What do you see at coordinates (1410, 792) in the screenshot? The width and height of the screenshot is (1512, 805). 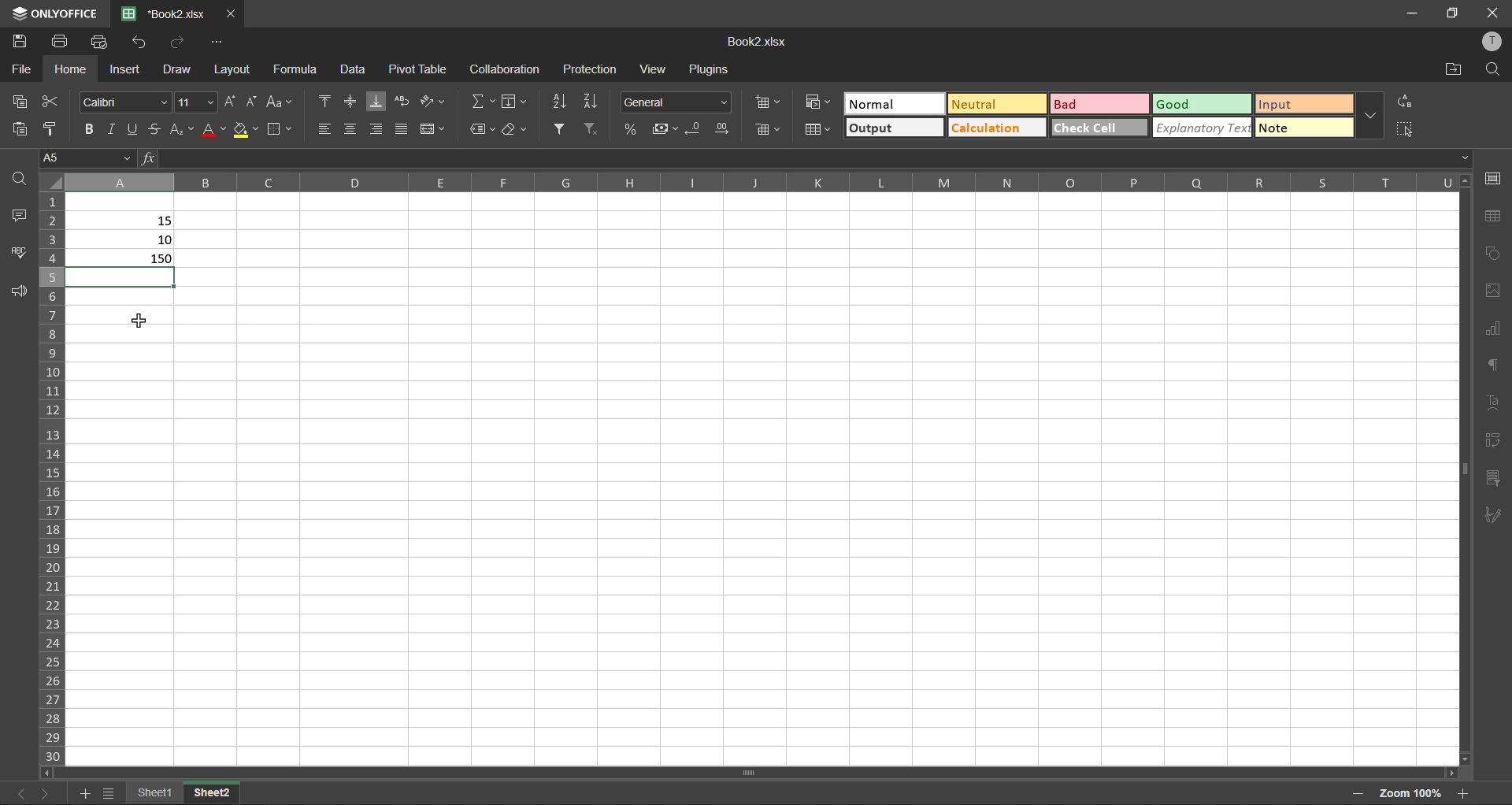 I see `Zoom factor` at bounding box center [1410, 792].